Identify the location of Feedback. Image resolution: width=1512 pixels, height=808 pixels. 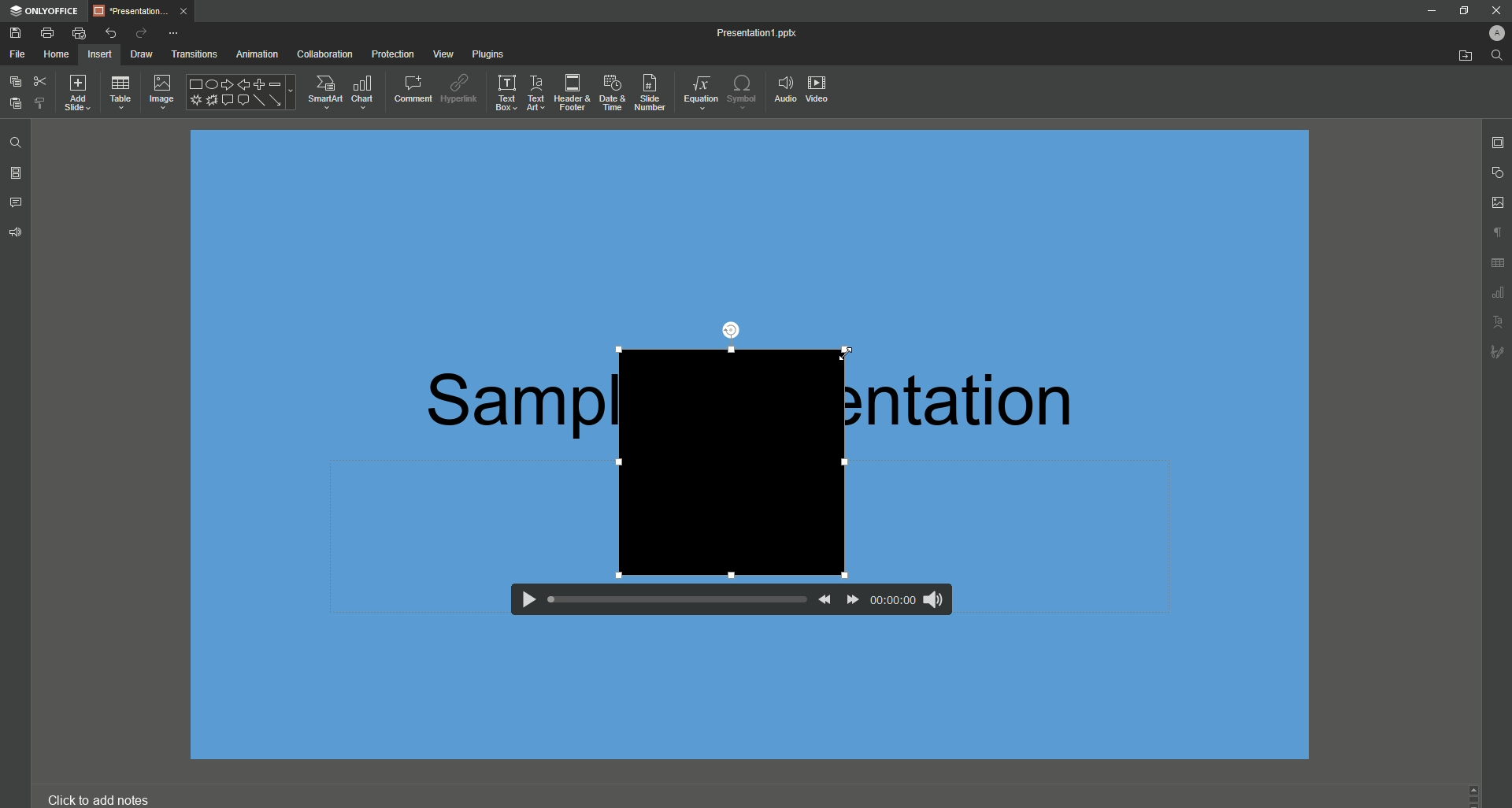
(17, 235).